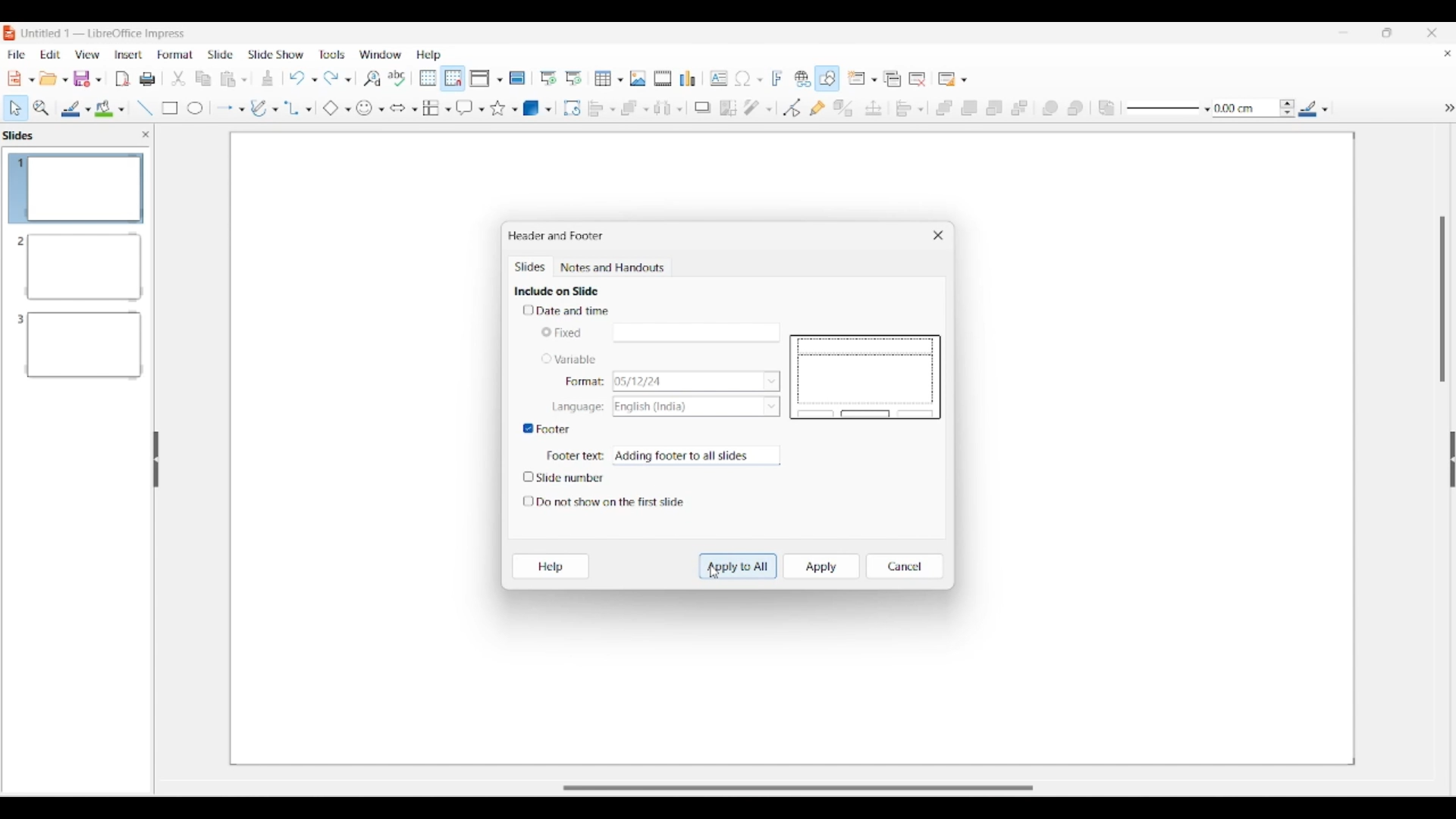 The height and width of the screenshot is (819, 1456). I want to click on Shadow, so click(702, 108).